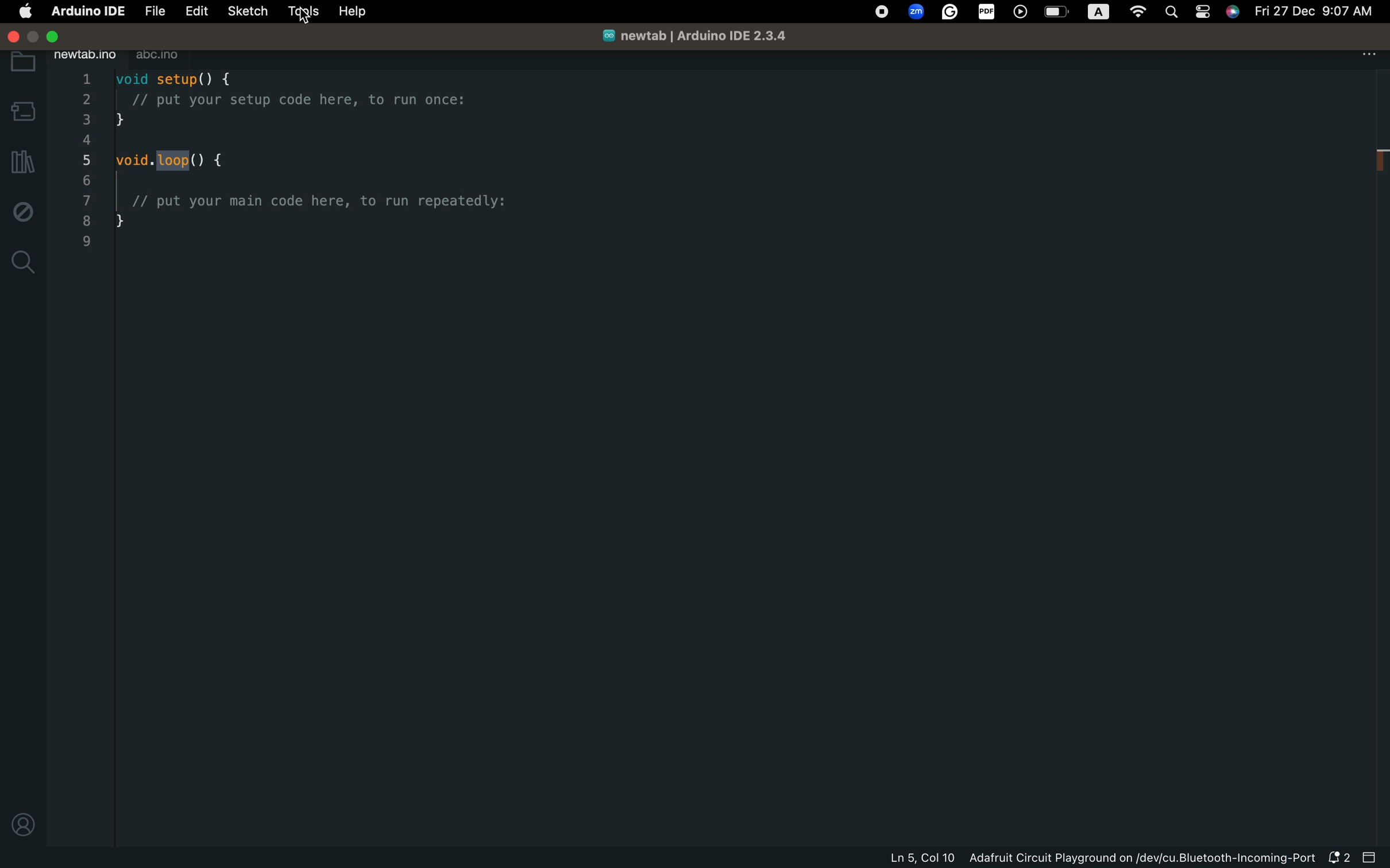 The height and width of the screenshot is (868, 1390). I want to click on library manager, so click(23, 161).